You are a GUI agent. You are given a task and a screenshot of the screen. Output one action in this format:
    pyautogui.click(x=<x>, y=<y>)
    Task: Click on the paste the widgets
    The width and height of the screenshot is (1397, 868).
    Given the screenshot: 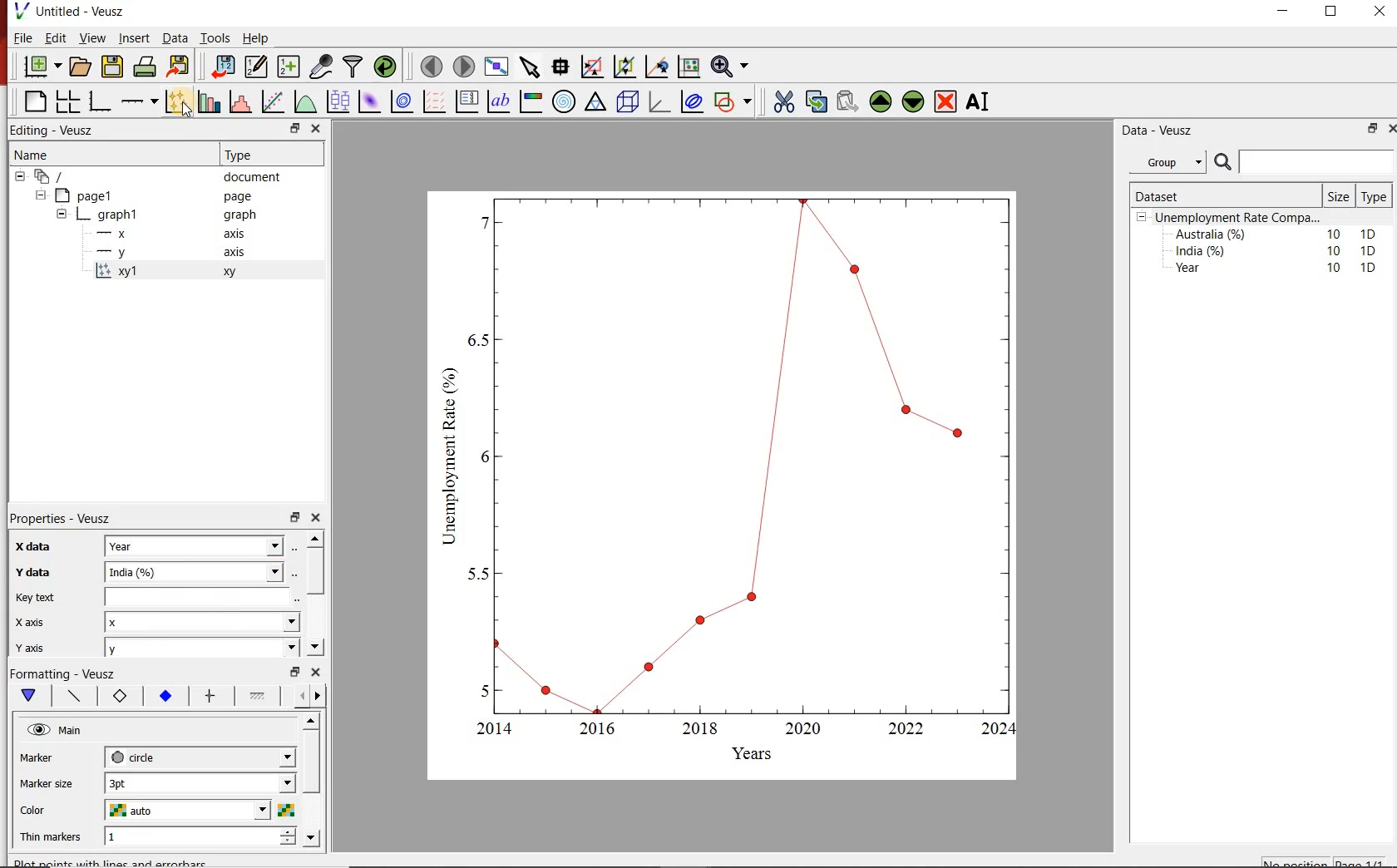 What is the action you would take?
    pyautogui.click(x=848, y=101)
    